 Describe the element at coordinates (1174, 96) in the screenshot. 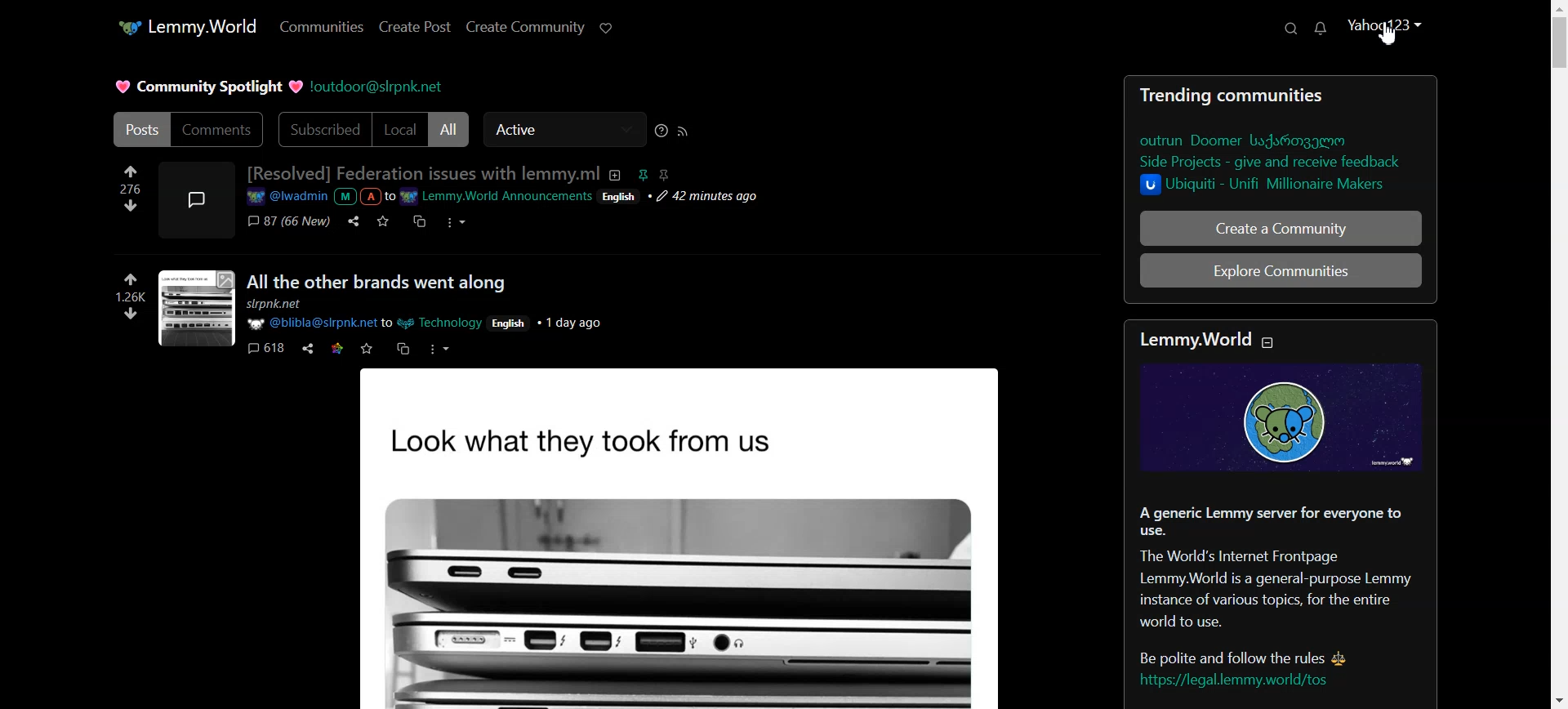

I see `trending` at that location.